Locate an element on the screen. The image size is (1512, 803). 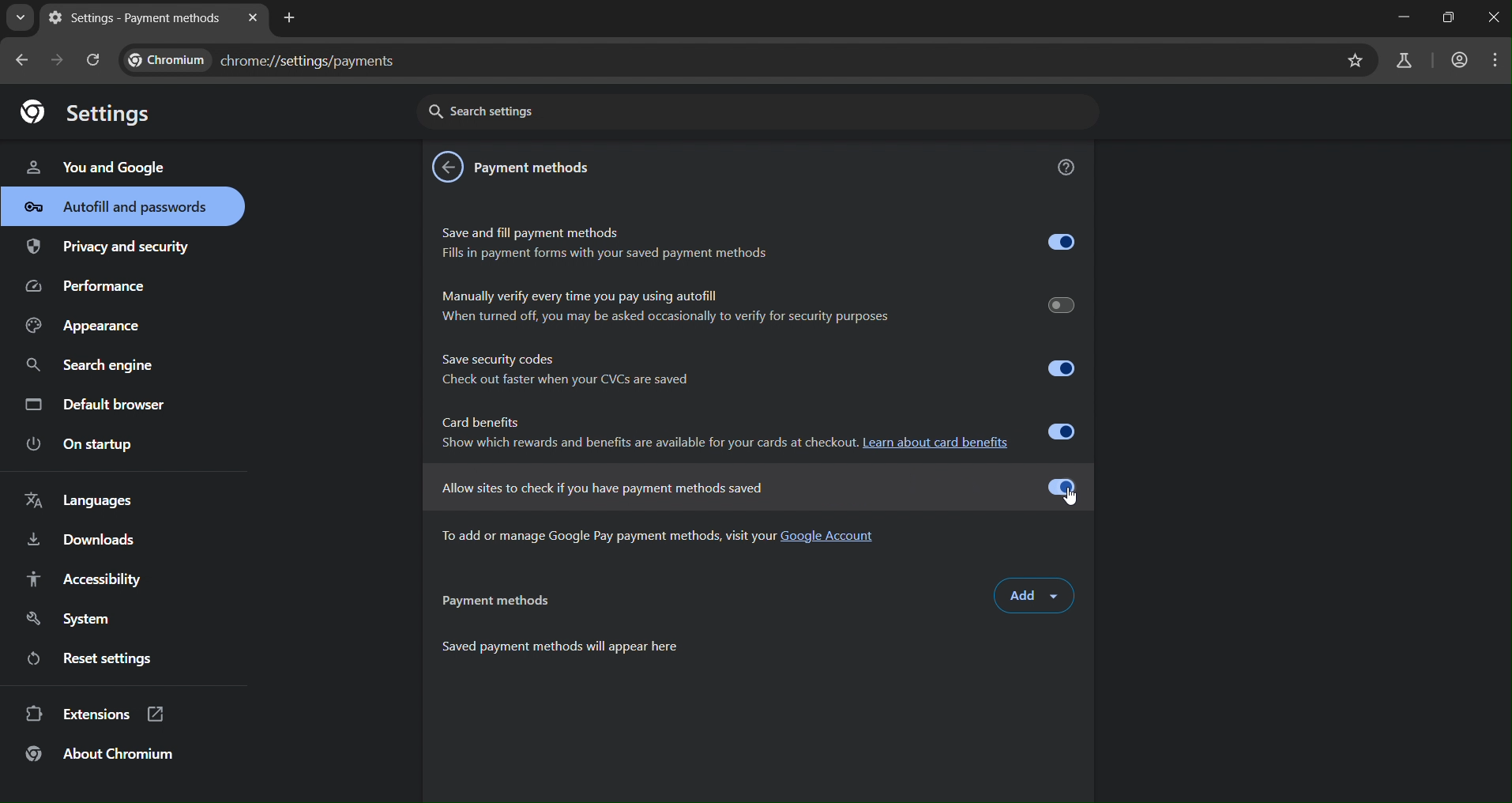
chrome://settings/payments is located at coordinates (268, 62).